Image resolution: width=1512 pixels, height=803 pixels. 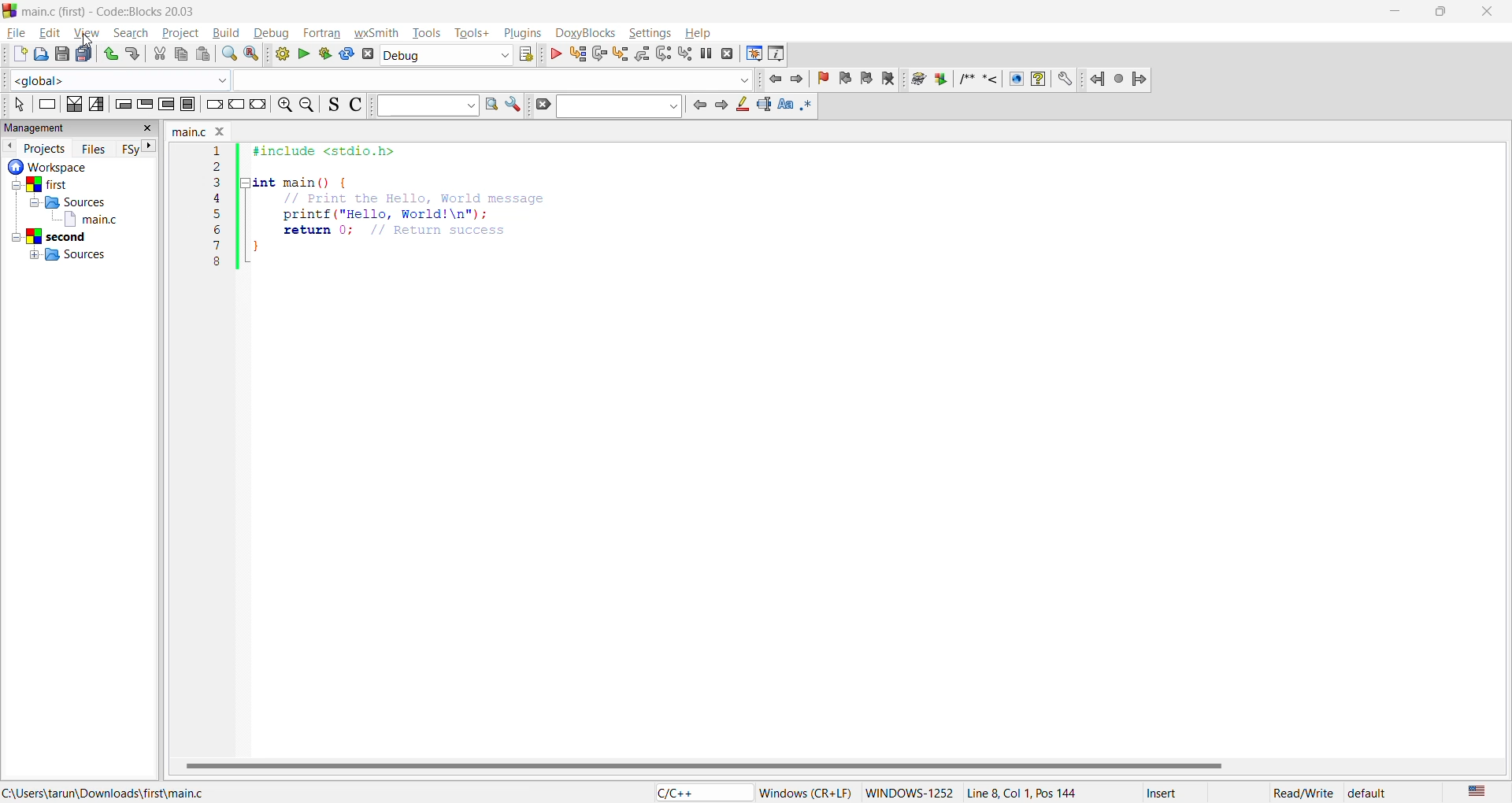 What do you see at coordinates (1396, 12) in the screenshot?
I see `minimize` at bounding box center [1396, 12].